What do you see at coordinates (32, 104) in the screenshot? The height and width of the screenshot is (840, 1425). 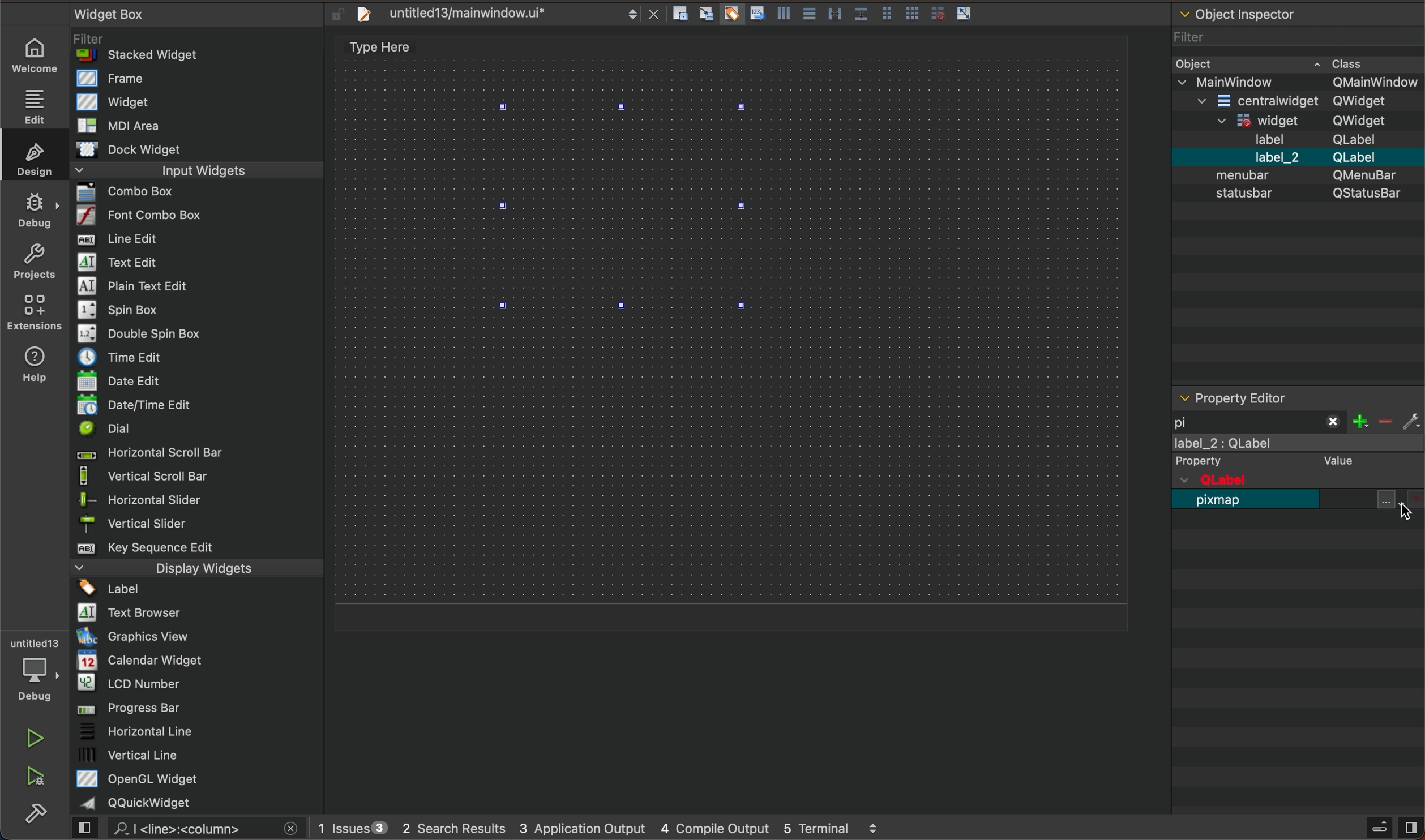 I see `edit` at bounding box center [32, 104].